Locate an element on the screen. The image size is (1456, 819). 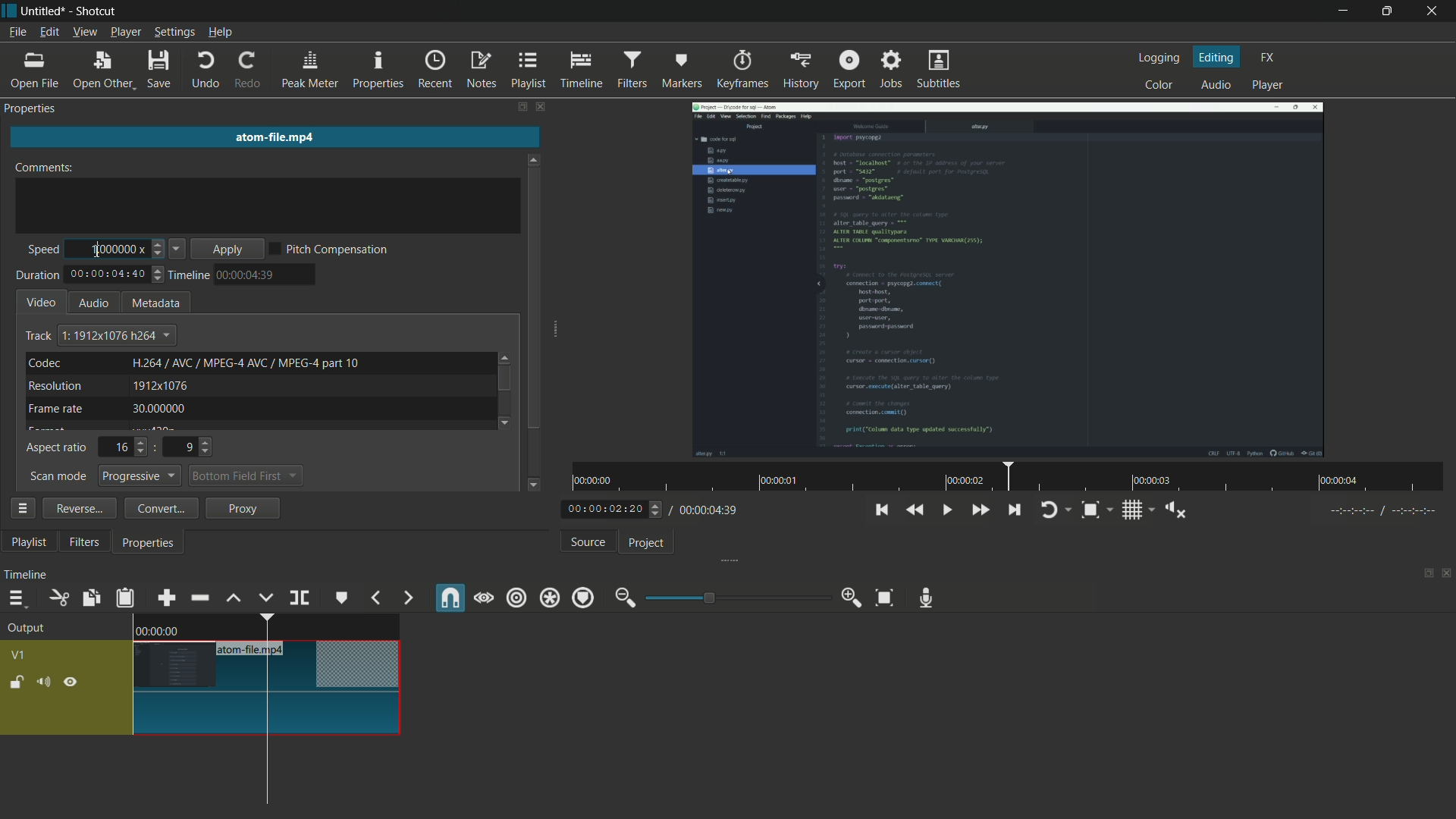
properties menu is located at coordinates (21, 507).